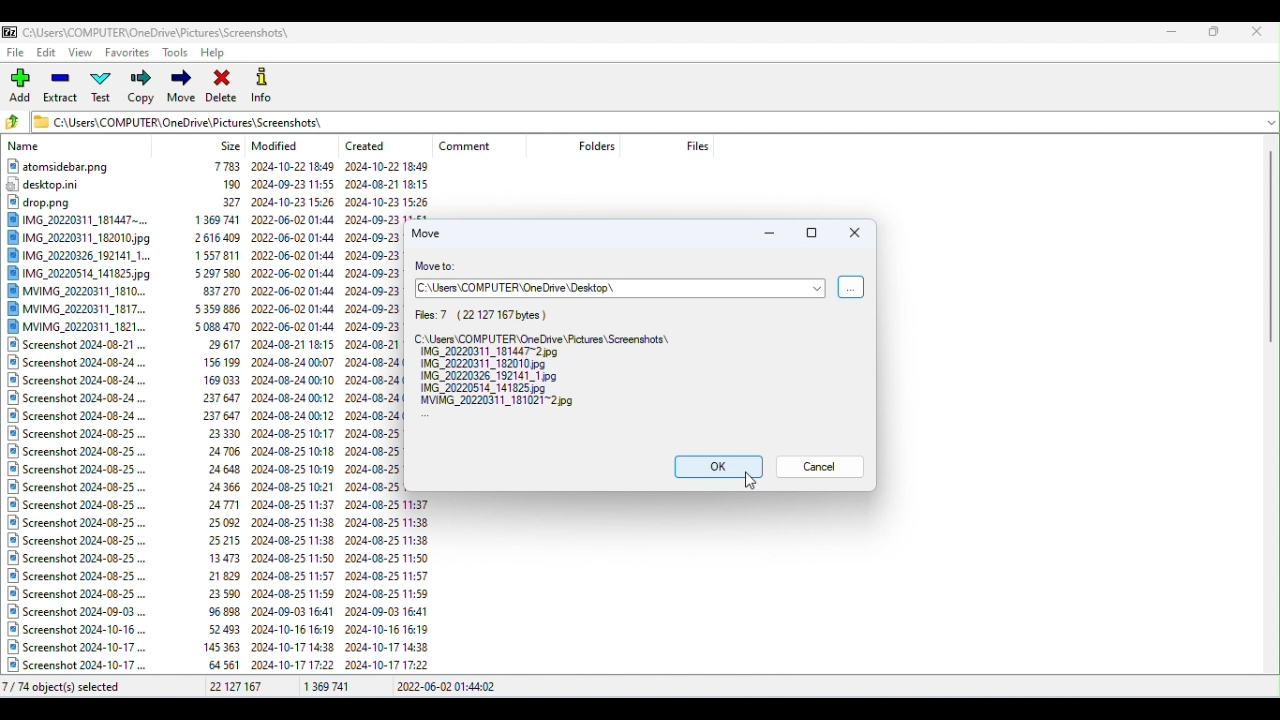  I want to click on Delete, so click(223, 85).